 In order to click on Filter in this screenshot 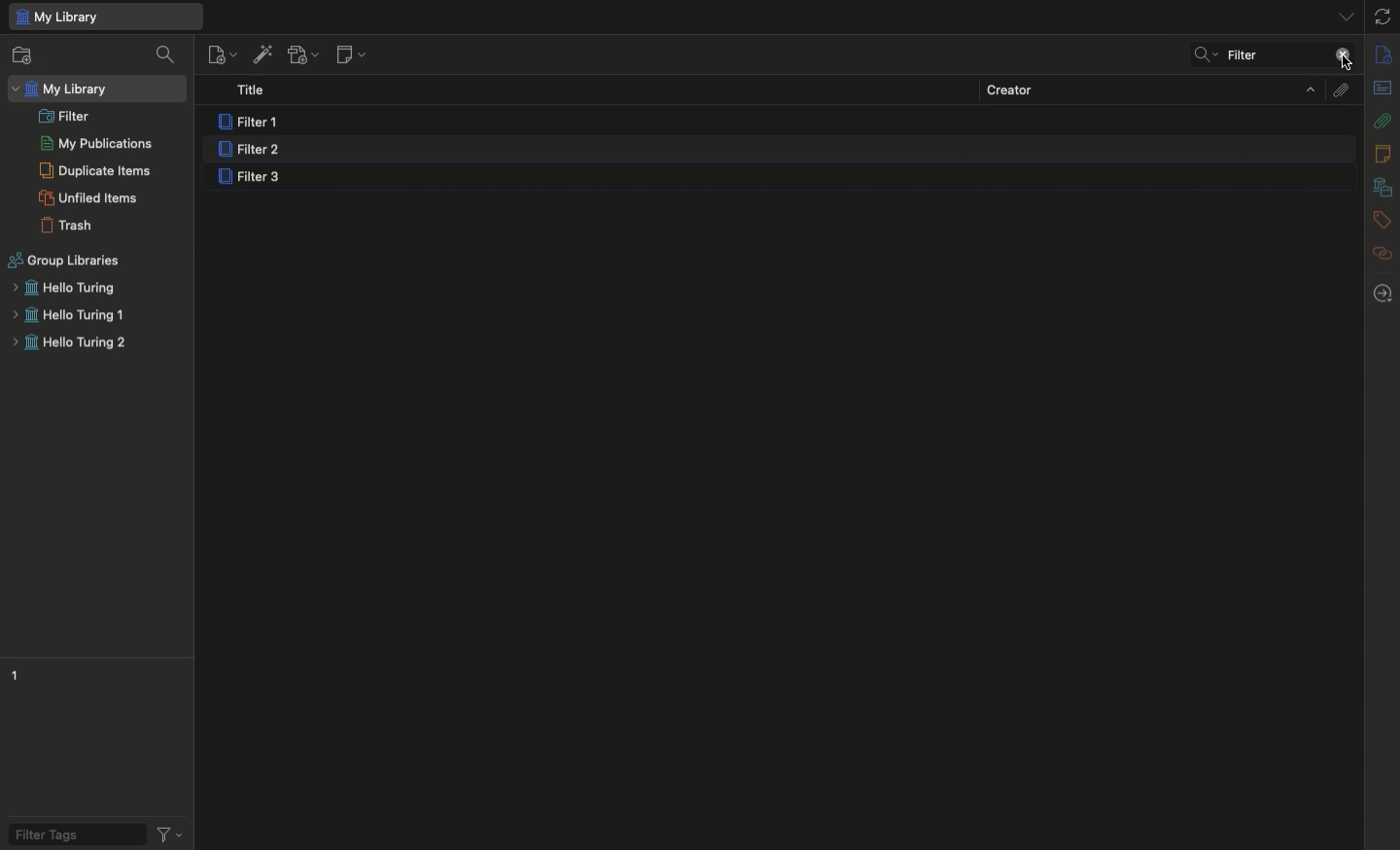, I will do `click(1279, 54)`.